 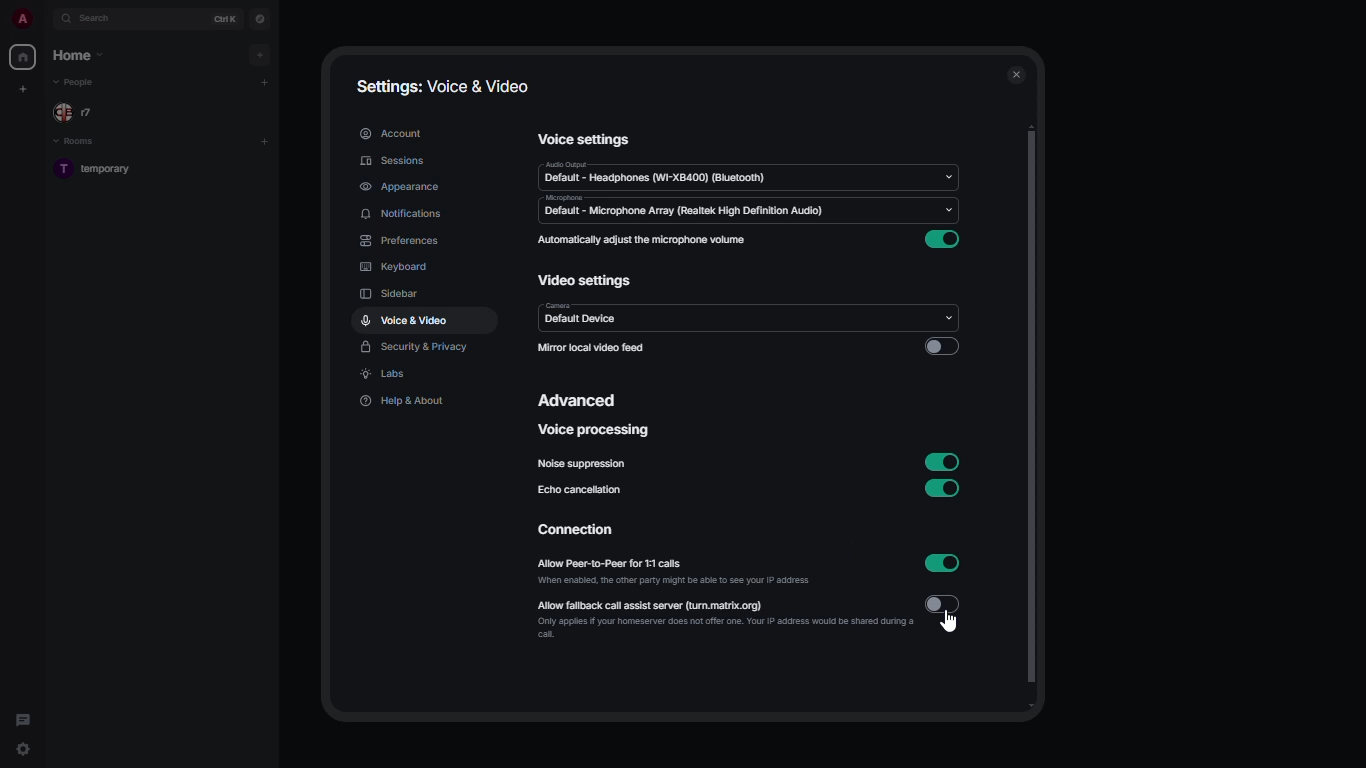 What do you see at coordinates (392, 135) in the screenshot?
I see `account` at bounding box center [392, 135].